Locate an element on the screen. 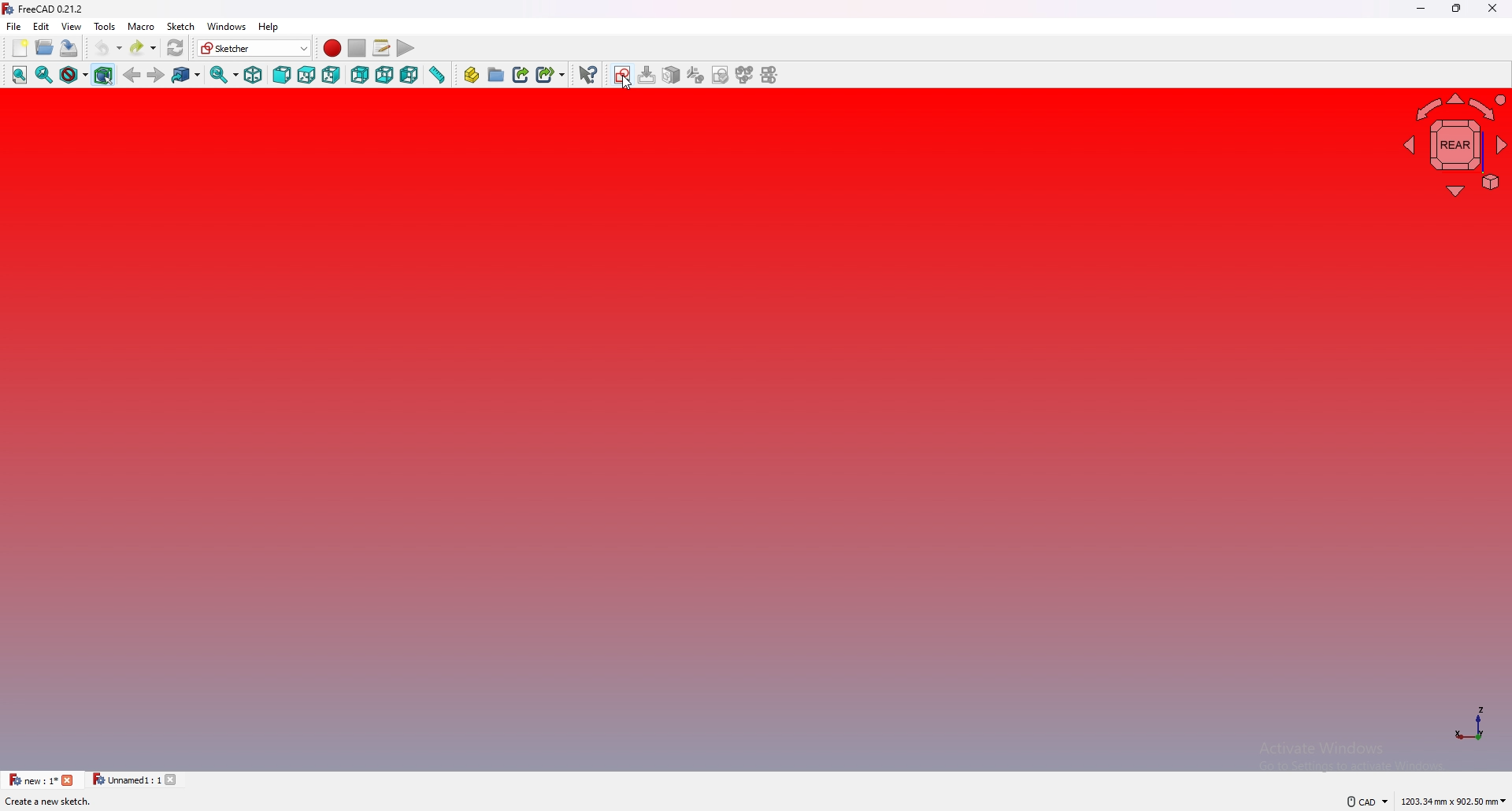 Image resolution: width=1512 pixels, height=811 pixels. bottom is located at coordinates (385, 75).